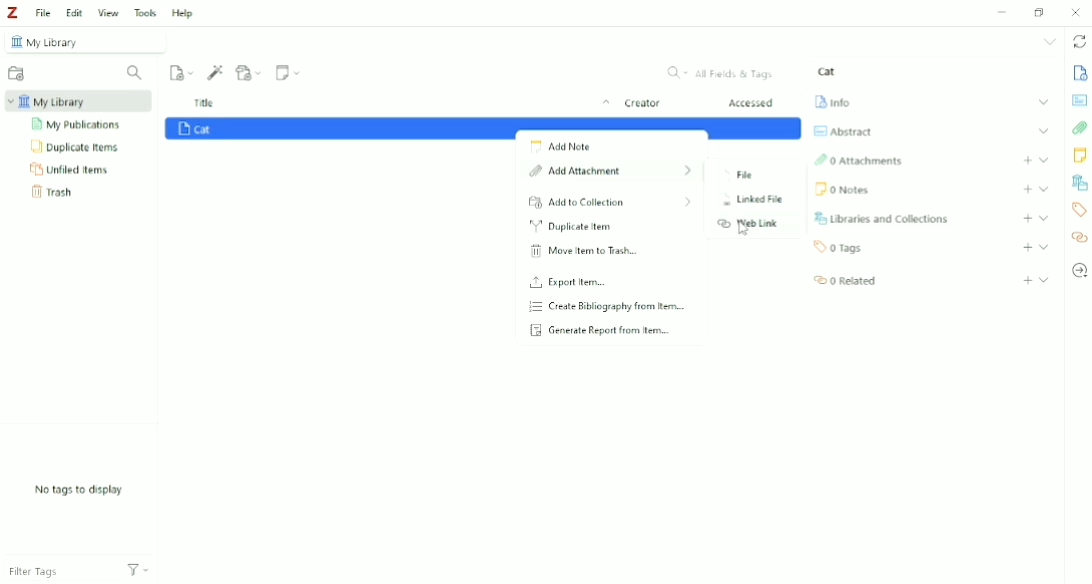  What do you see at coordinates (1028, 160) in the screenshot?
I see `Add` at bounding box center [1028, 160].